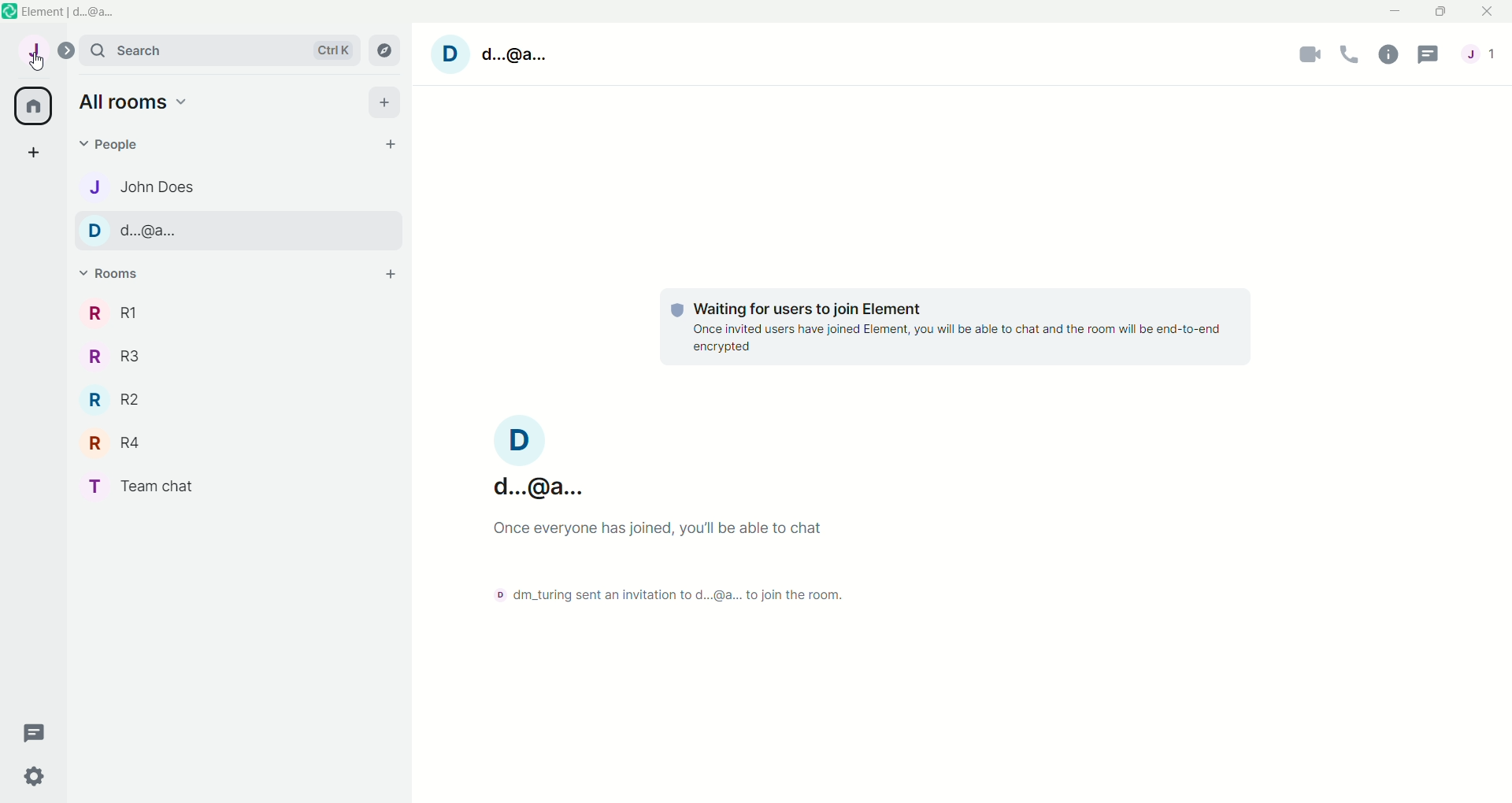  I want to click on voice call, so click(1350, 55).